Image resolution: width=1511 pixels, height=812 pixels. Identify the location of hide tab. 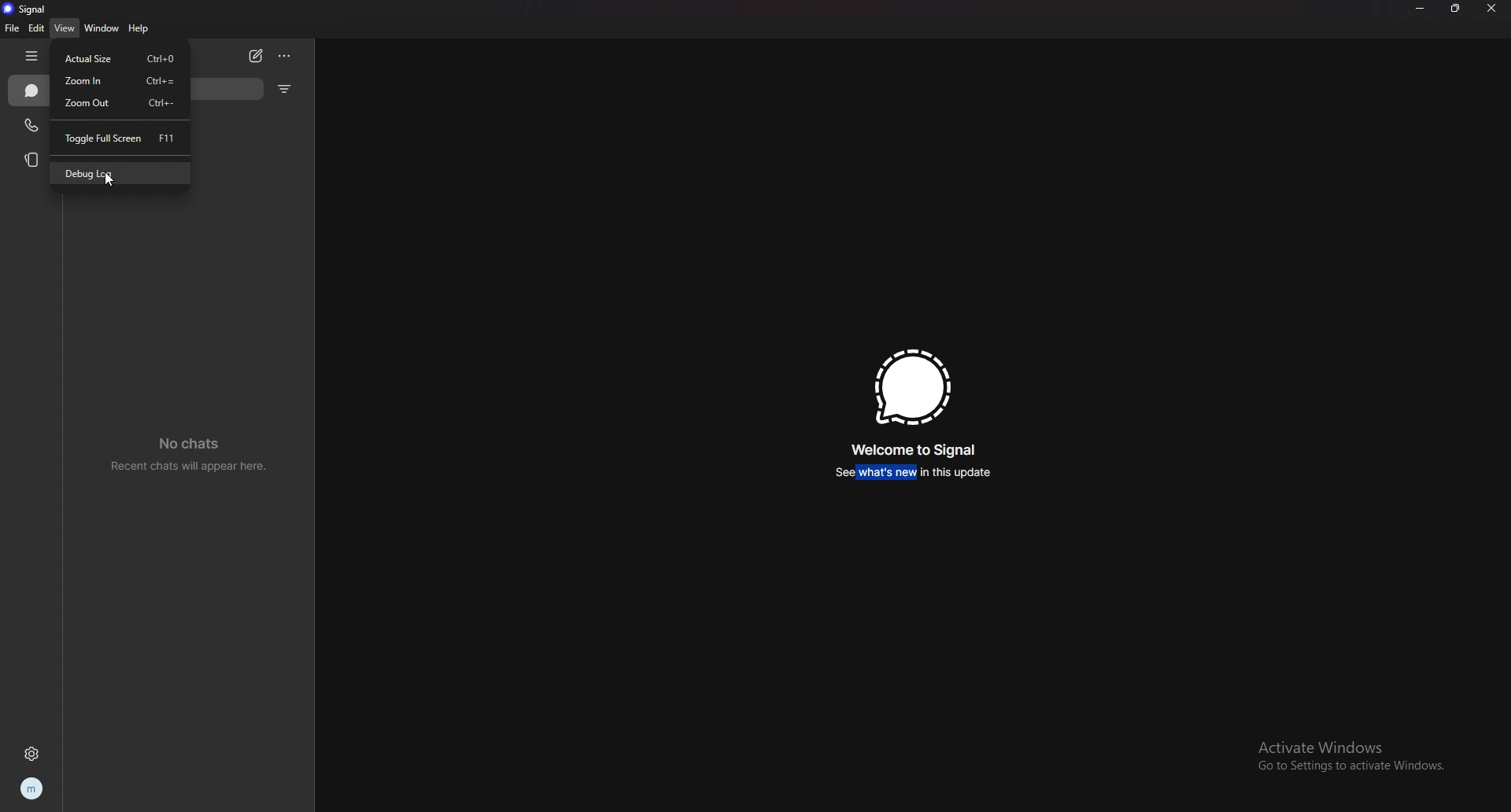
(32, 56).